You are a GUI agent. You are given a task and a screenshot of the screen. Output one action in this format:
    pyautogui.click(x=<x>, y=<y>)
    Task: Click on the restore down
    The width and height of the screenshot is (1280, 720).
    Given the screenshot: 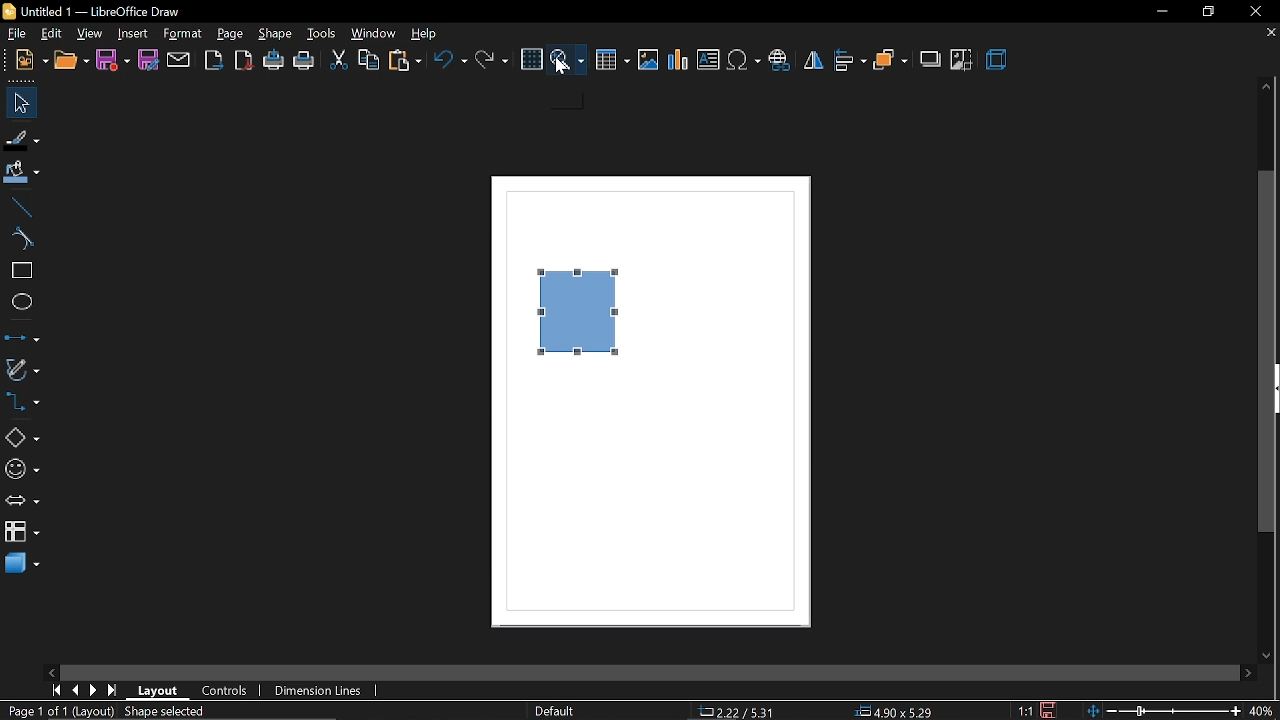 What is the action you would take?
    pyautogui.click(x=1208, y=12)
    